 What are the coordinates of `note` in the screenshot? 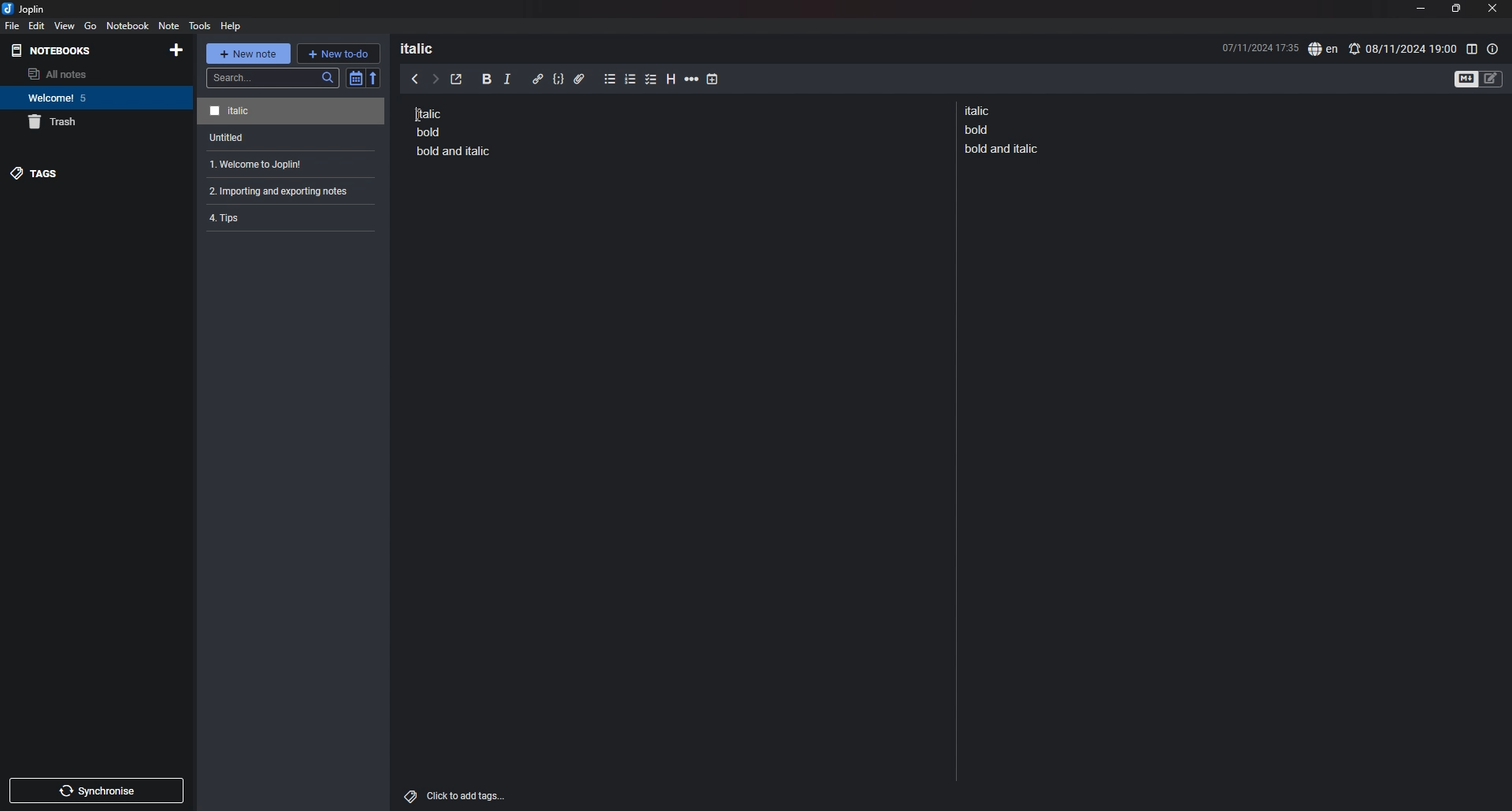 It's located at (291, 112).